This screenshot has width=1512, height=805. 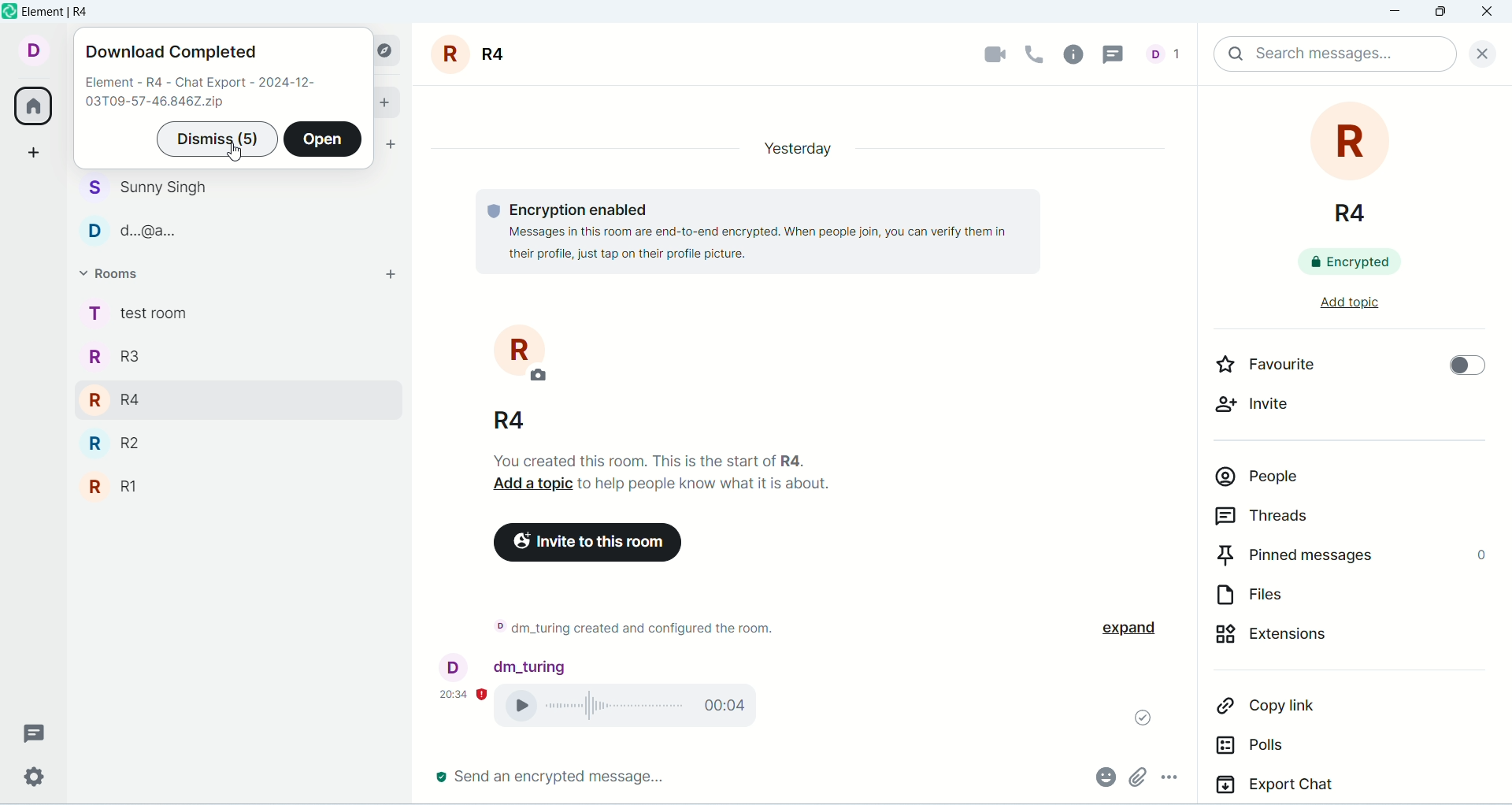 I want to click on dismiss, so click(x=216, y=139).